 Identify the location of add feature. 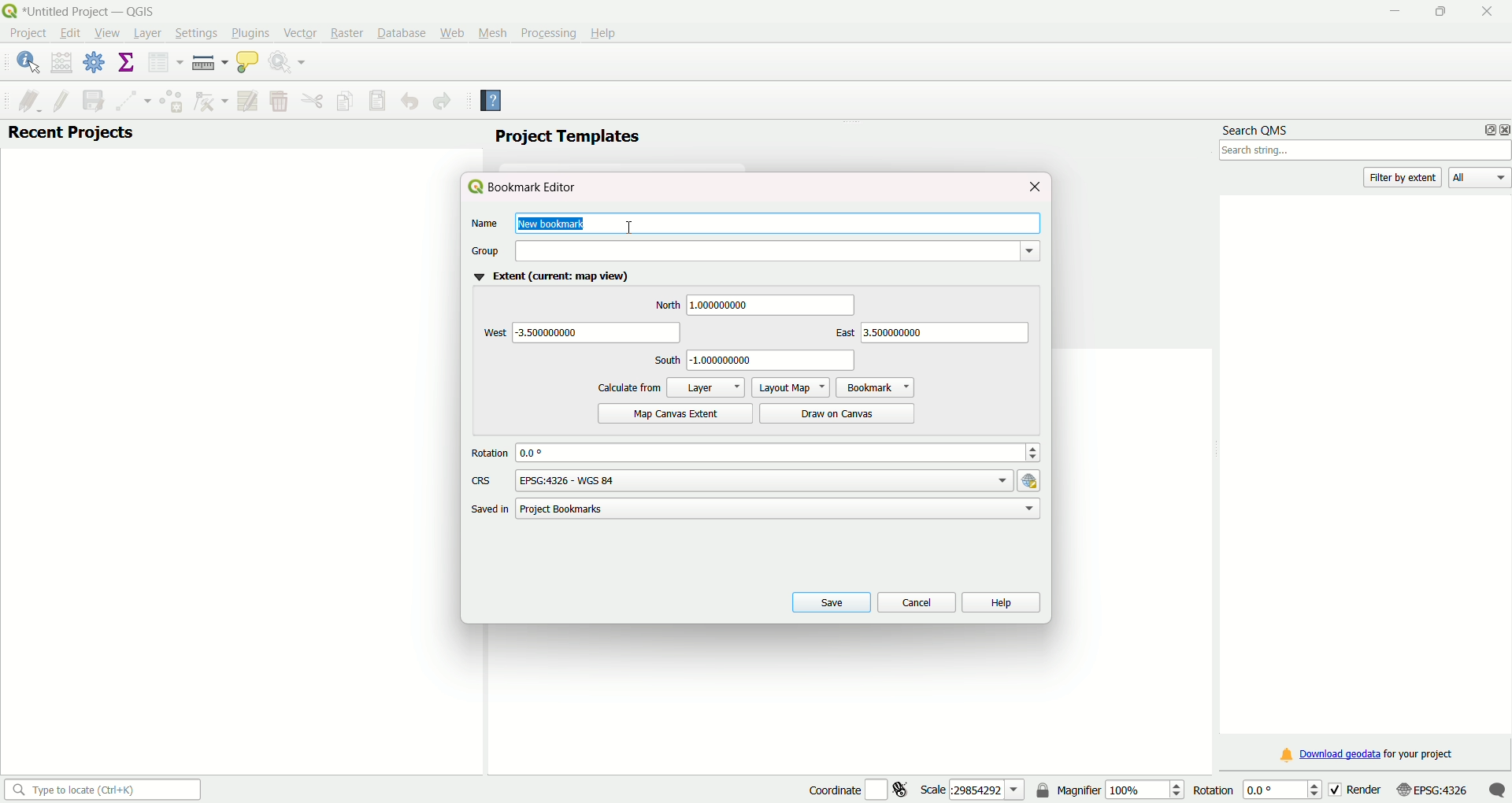
(170, 101).